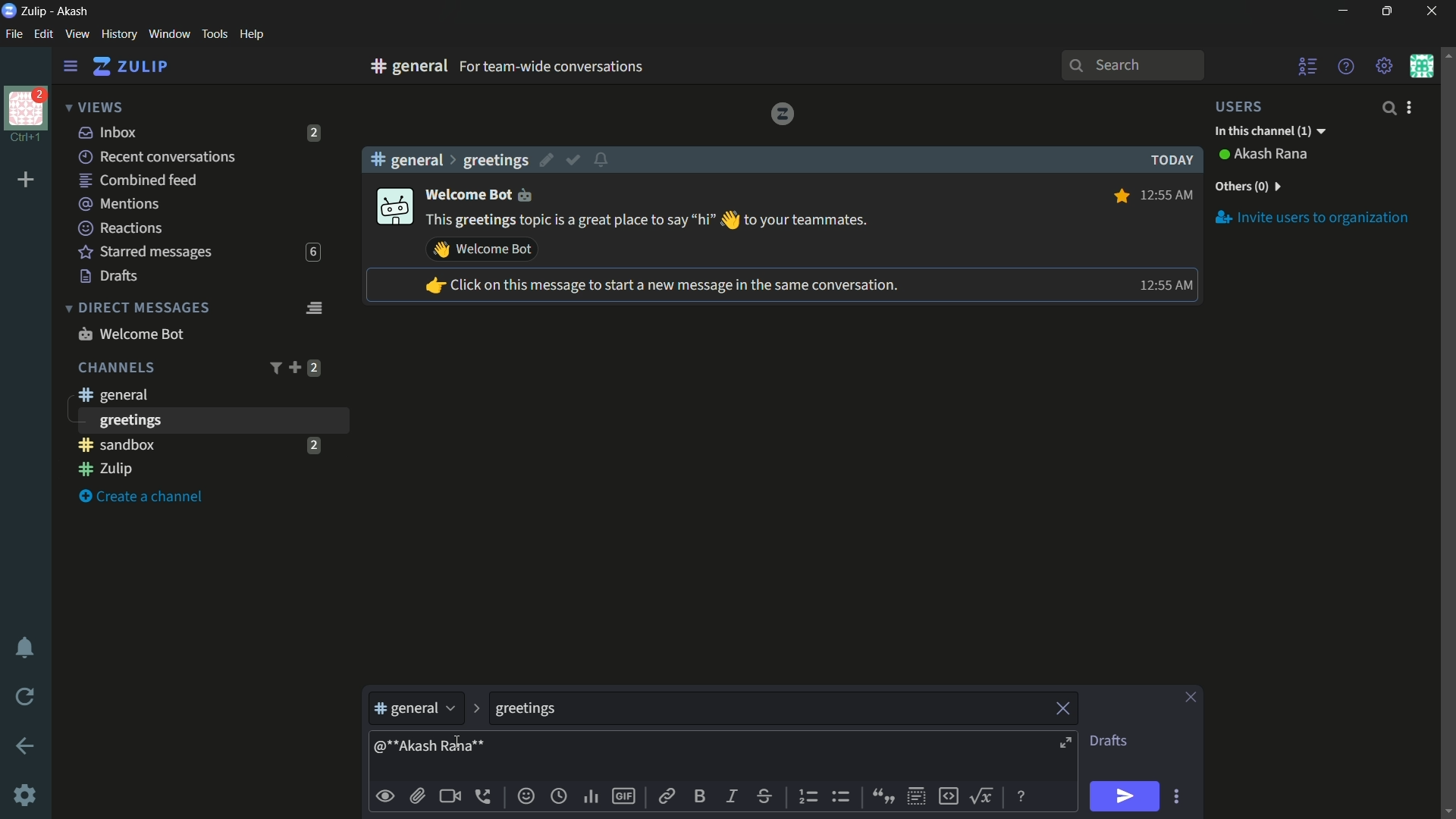  Describe the element at coordinates (1119, 196) in the screenshot. I see `Star` at that location.